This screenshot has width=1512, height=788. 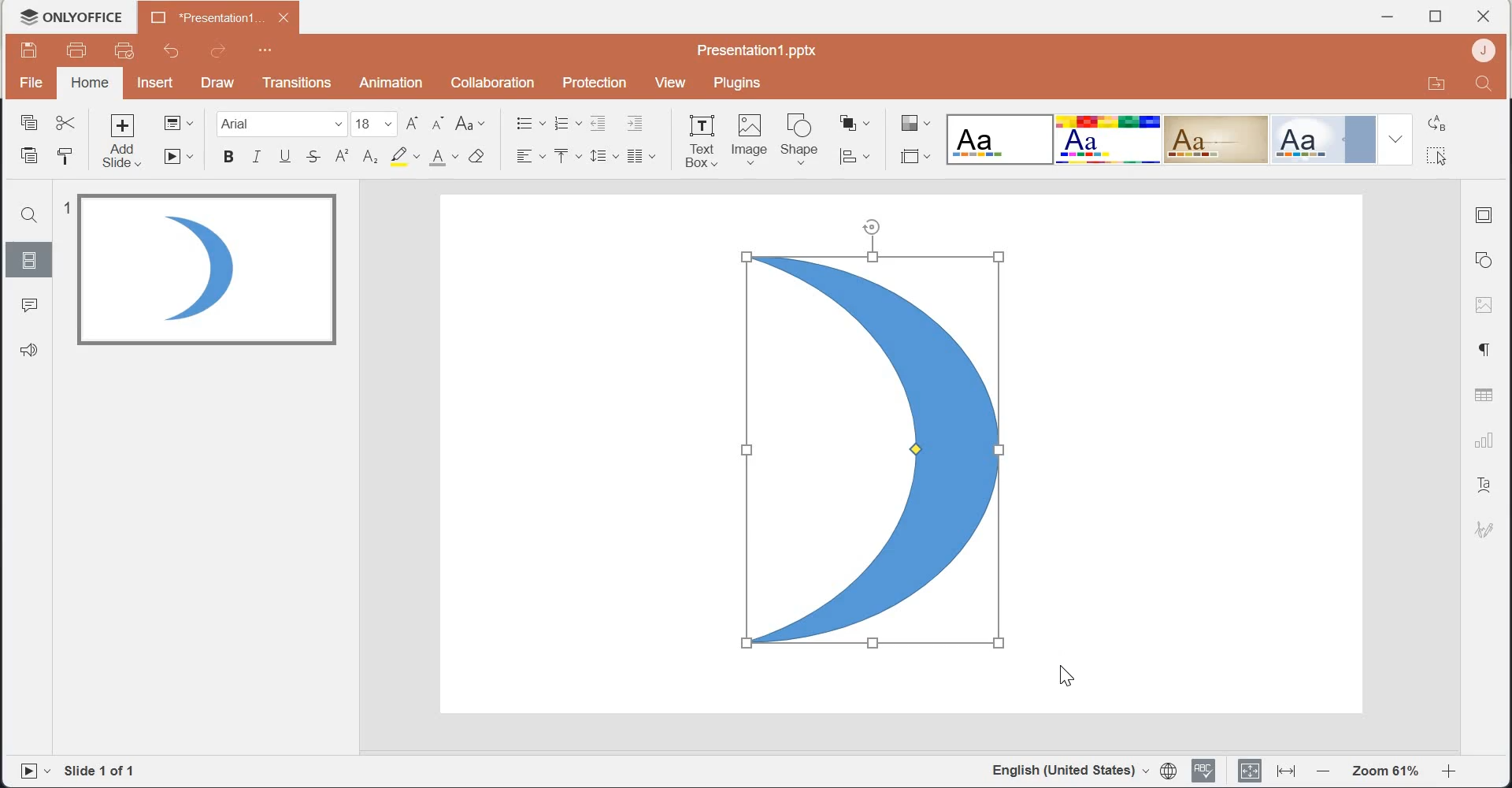 What do you see at coordinates (215, 84) in the screenshot?
I see `Draw` at bounding box center [215, 84].